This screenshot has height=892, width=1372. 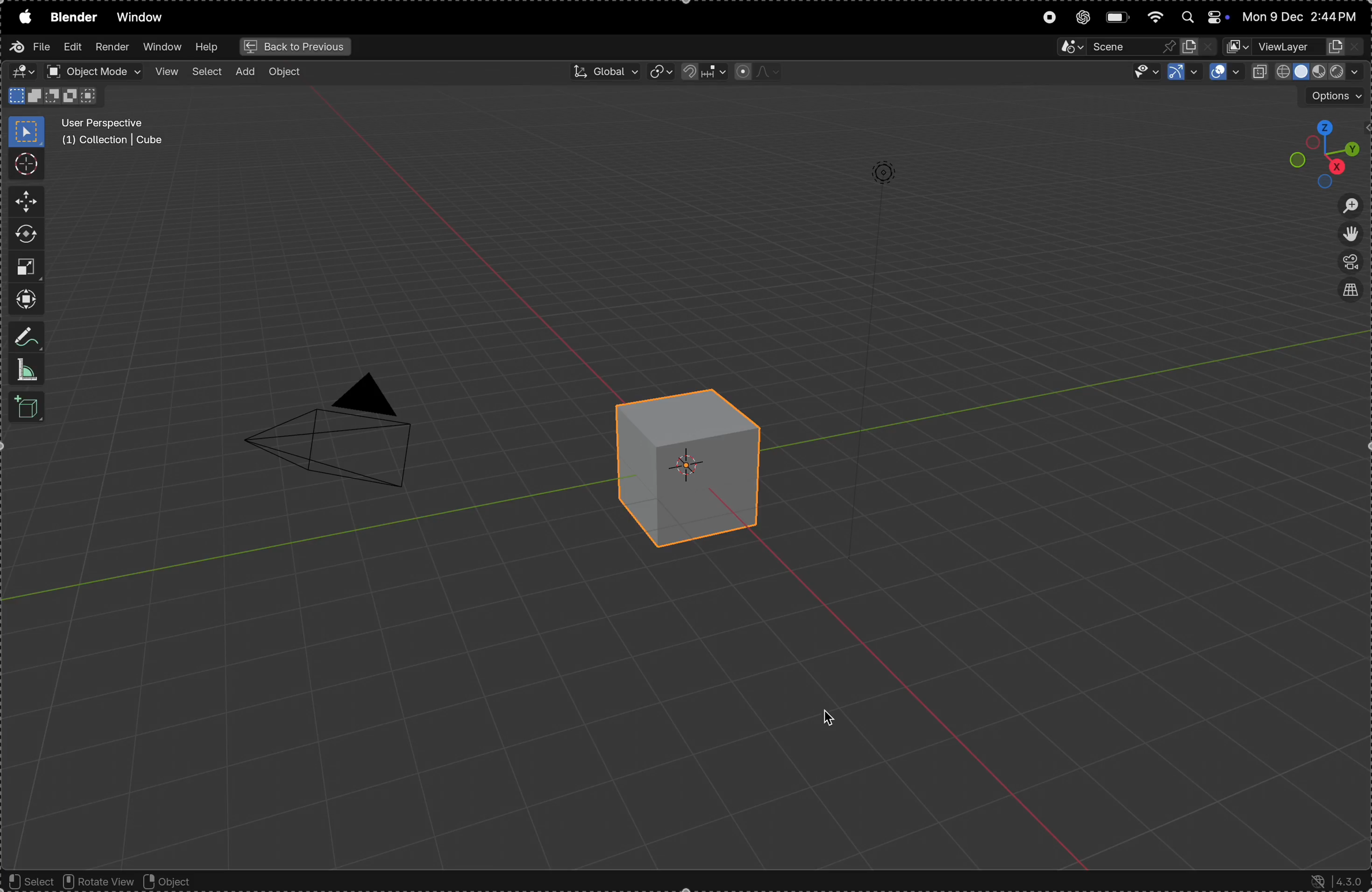 What do you see at coordinates (1118, 18) in the screenshot?
I see `battery` at bounding box center [1118, 18].